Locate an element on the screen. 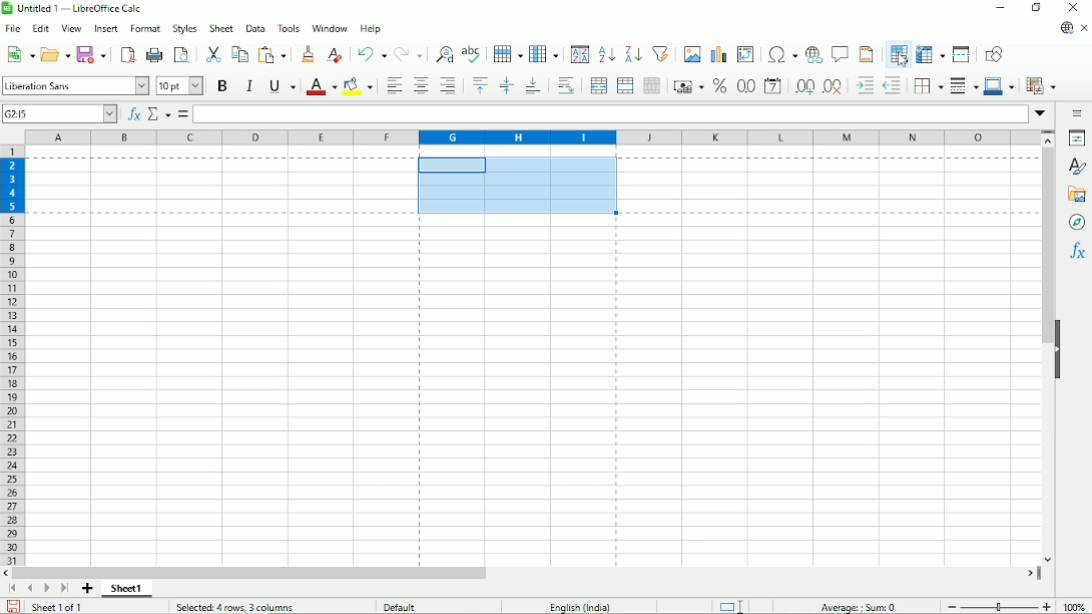  Gallery is located at coordinates (1077, 195).